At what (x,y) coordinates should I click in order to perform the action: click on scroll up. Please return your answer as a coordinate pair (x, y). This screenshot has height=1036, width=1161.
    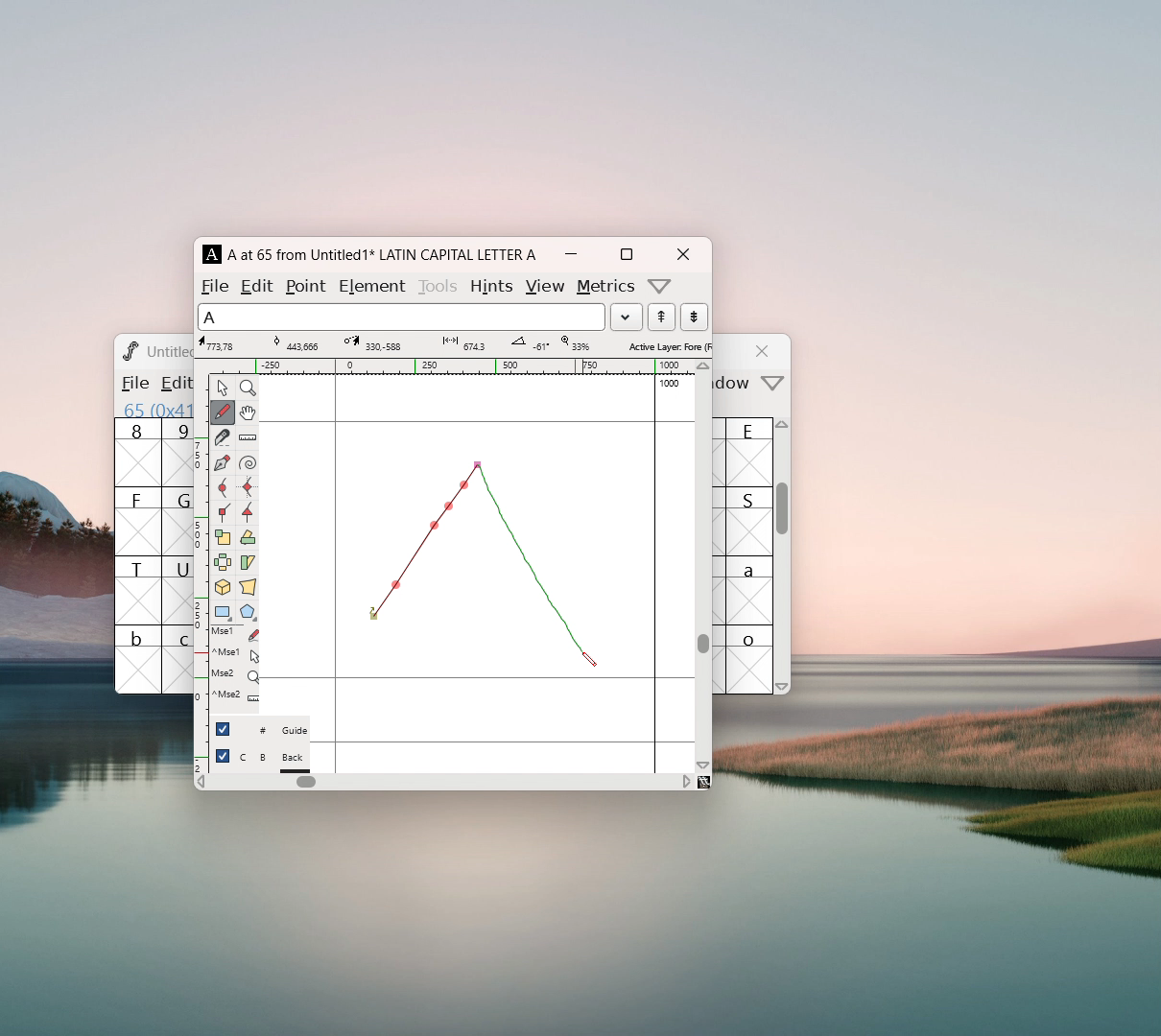
    Looking at the image, I should click on (784, 429).